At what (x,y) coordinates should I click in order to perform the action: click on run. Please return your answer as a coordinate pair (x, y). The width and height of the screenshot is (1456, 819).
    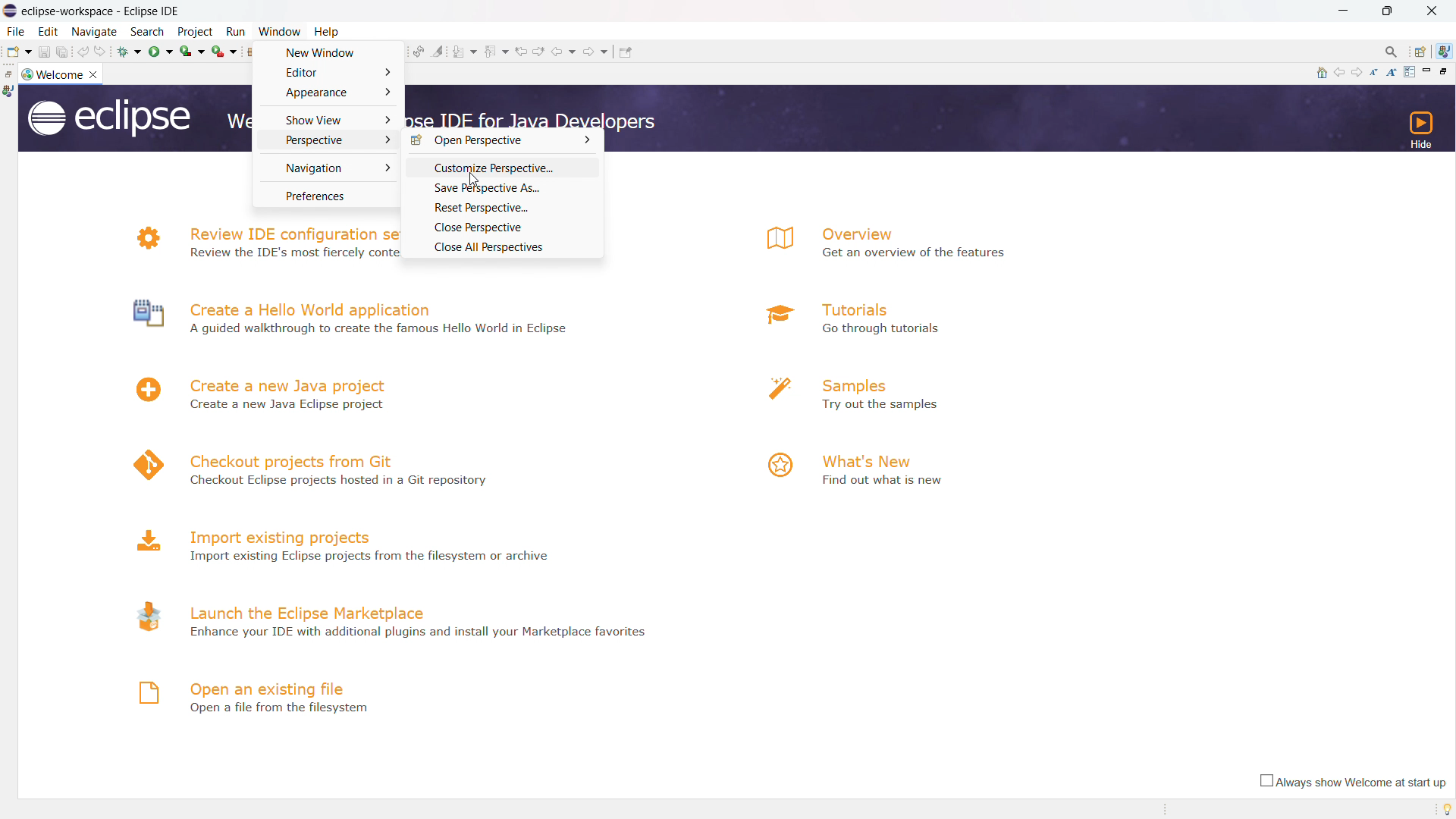
    Looking at the image, I should click on (159, 52).